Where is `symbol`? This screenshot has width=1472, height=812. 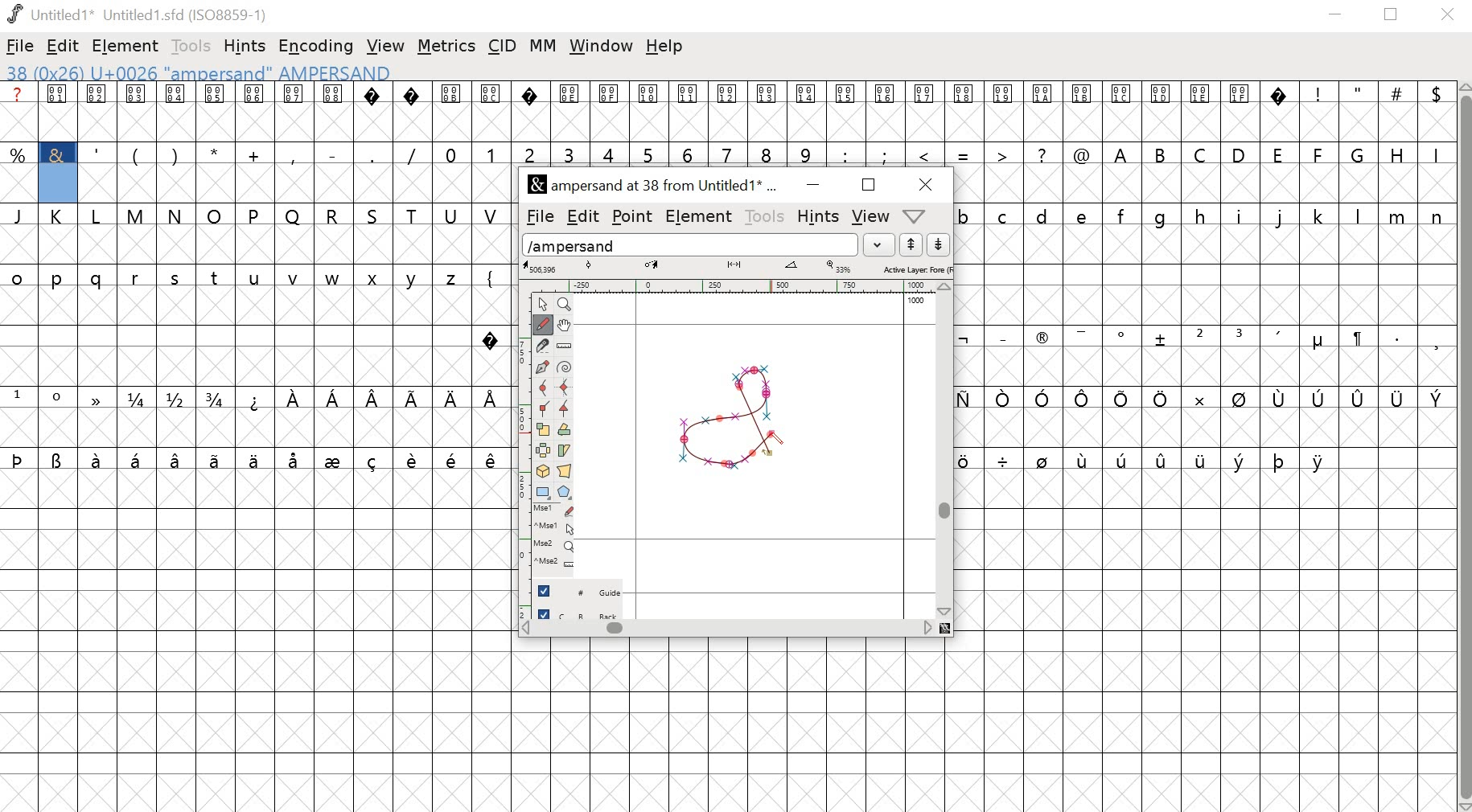
symbol is located at coordinates (414, 458).